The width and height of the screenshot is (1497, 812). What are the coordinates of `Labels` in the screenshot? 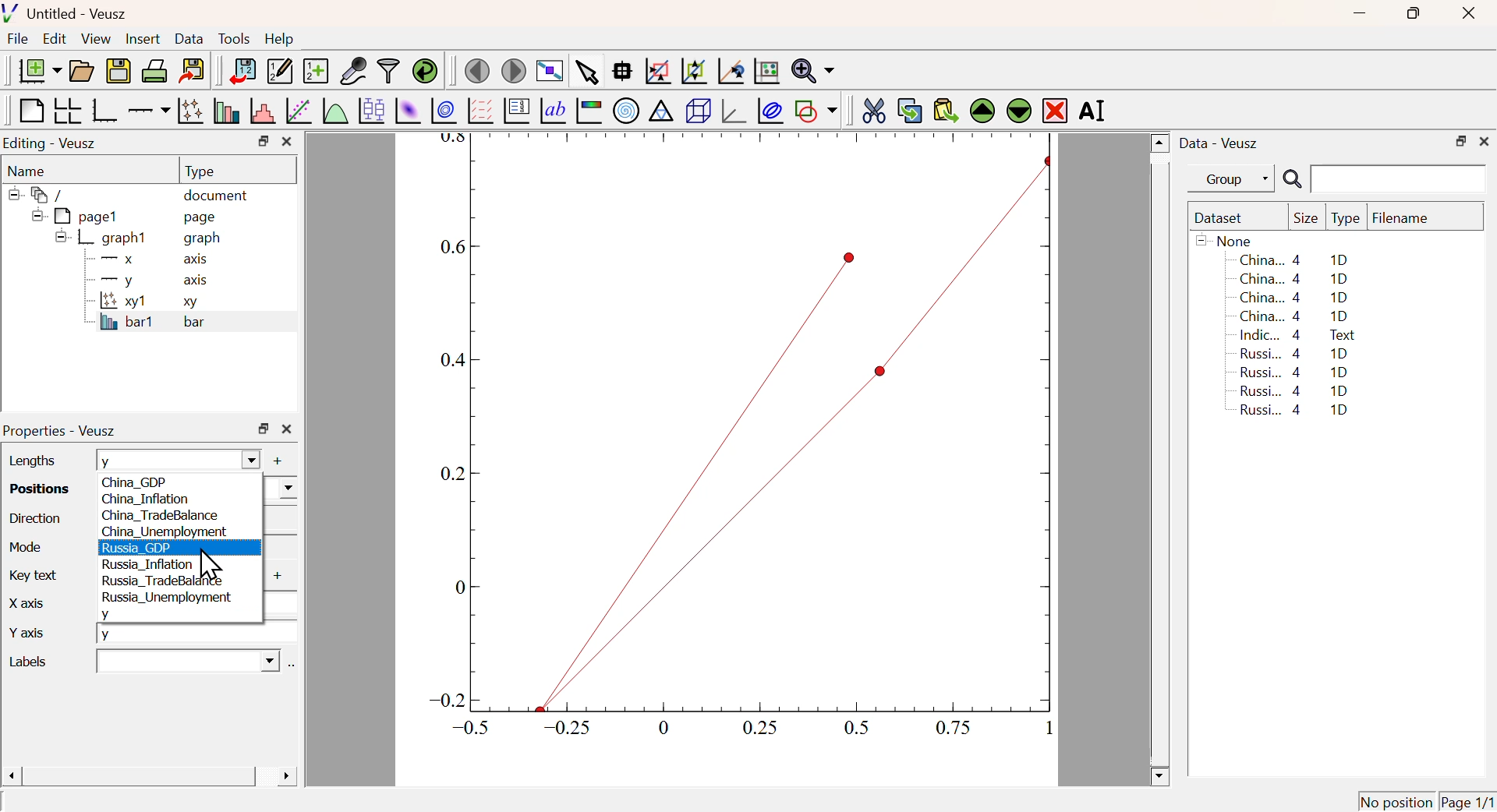 It's located at (43, 661).